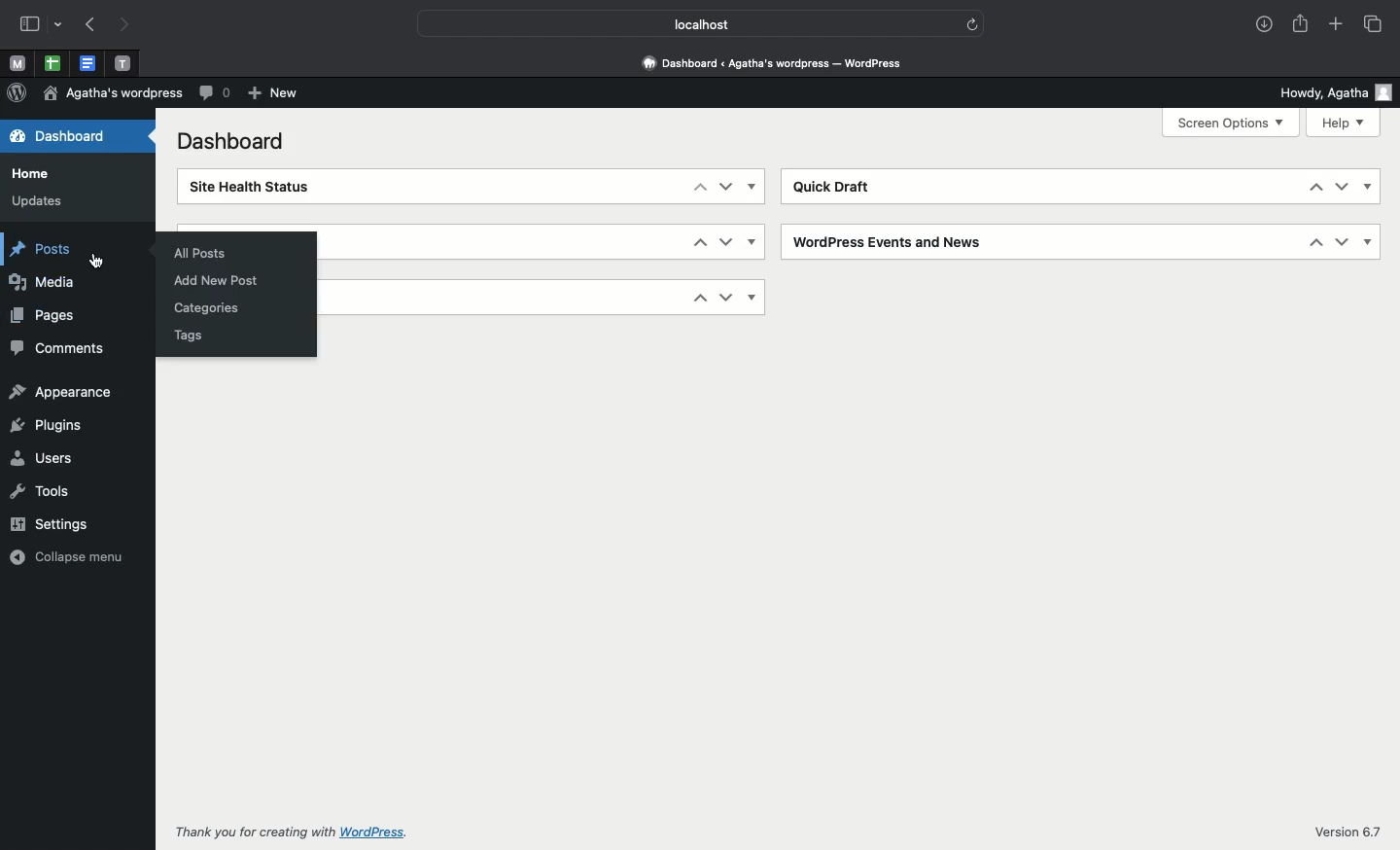 This screenshot has height=850, width=1400. I want to click on New, so click(275, 94).